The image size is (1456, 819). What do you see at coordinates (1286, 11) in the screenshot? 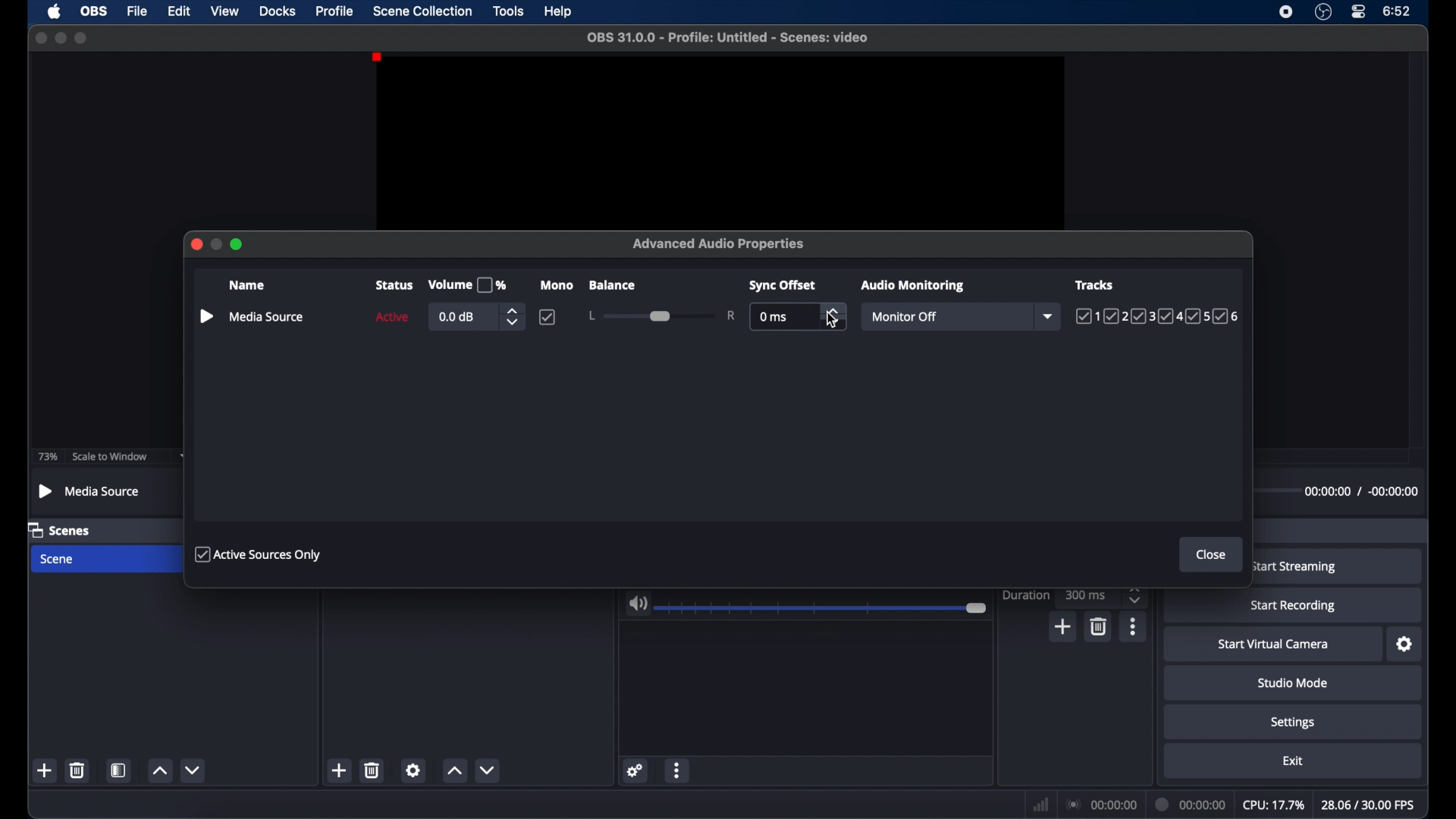
I see `screen recorder icon` at bounding box center [1286, 11].